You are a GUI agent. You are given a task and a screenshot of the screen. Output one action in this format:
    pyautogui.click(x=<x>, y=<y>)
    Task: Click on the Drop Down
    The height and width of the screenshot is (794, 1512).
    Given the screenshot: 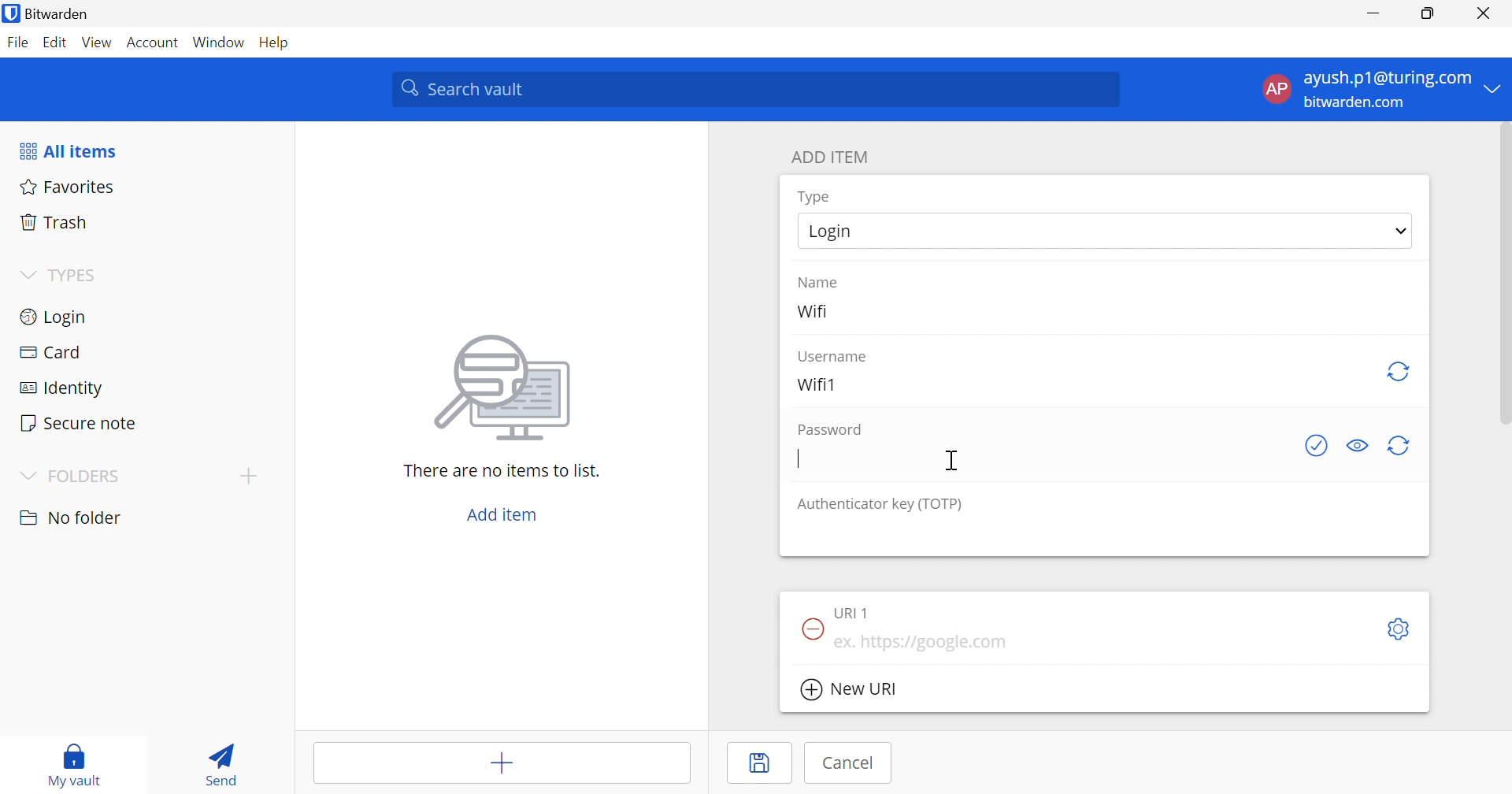 What is the action you would take?
    pyautogui.click(x=1494, y=87)
    